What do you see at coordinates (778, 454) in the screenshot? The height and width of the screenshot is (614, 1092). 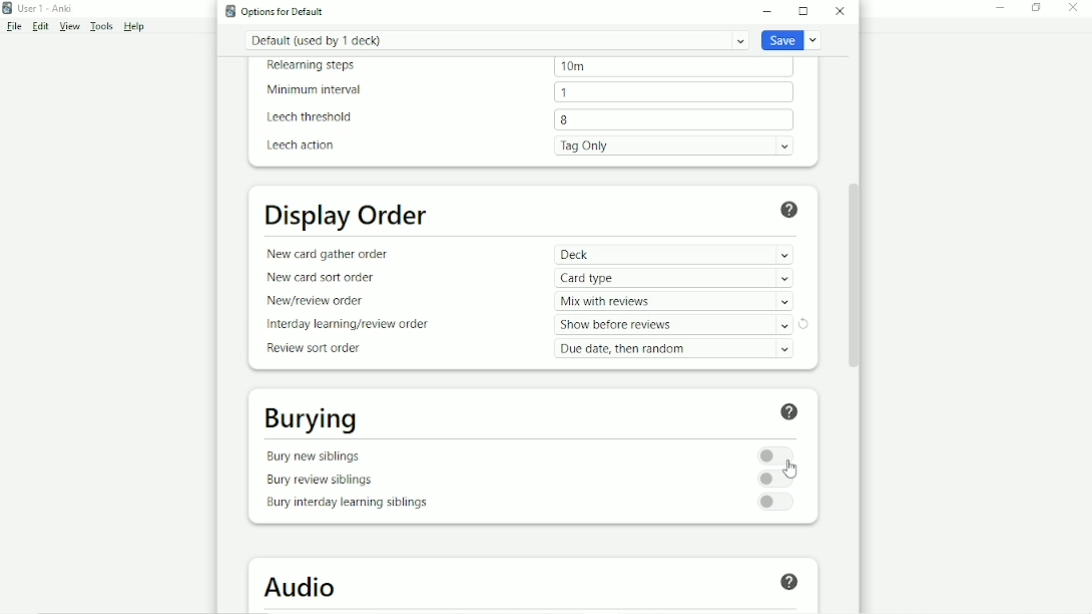 I see `Toggle on/off` at bounding box center [778, 454].